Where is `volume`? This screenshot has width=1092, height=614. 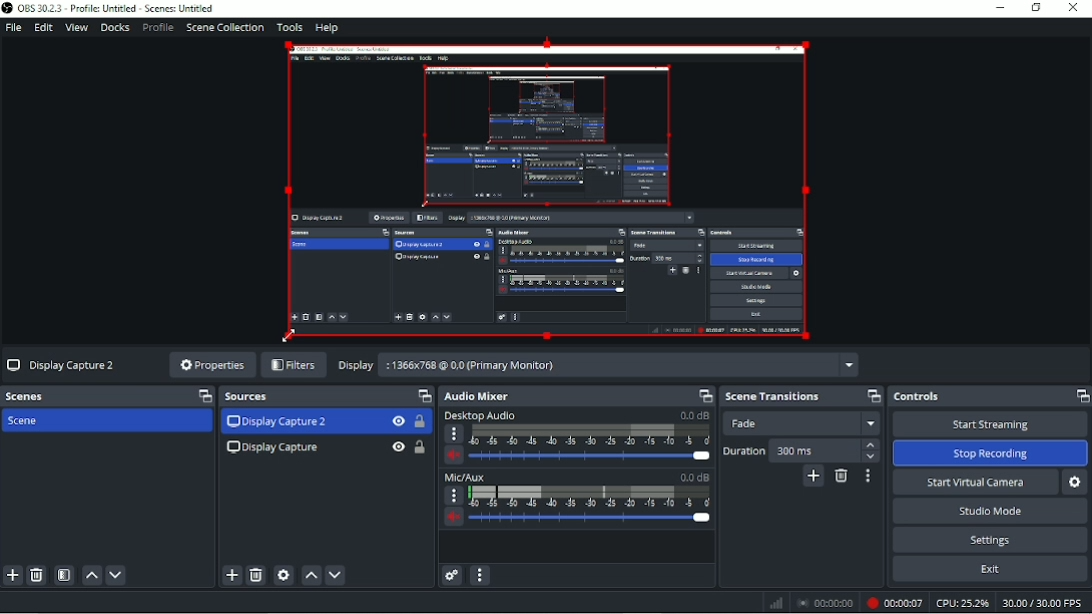
volume is located at coordinates (452, 519).